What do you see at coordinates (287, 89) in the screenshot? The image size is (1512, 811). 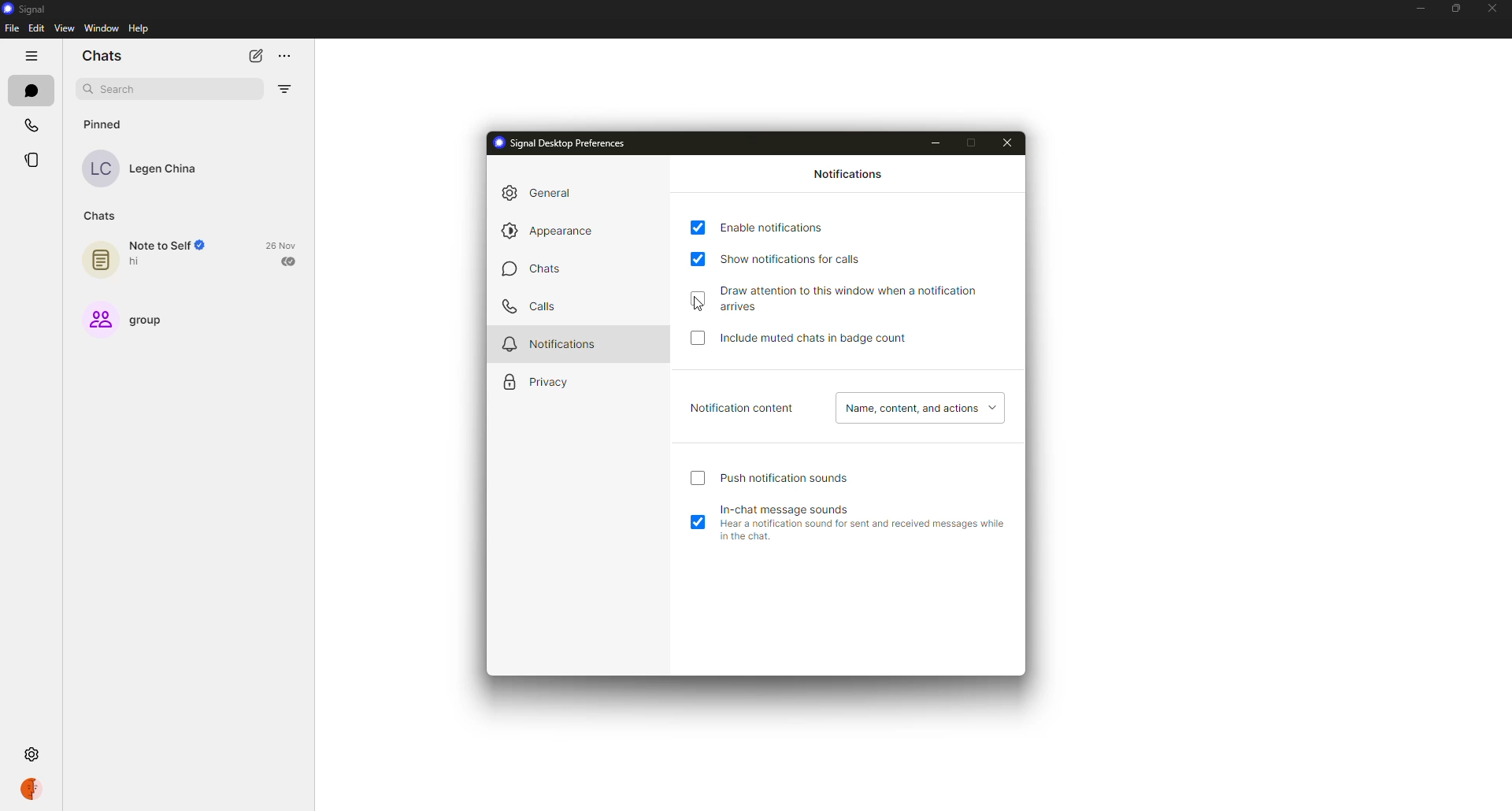 I see `filter` at bounding box center [287, 89].